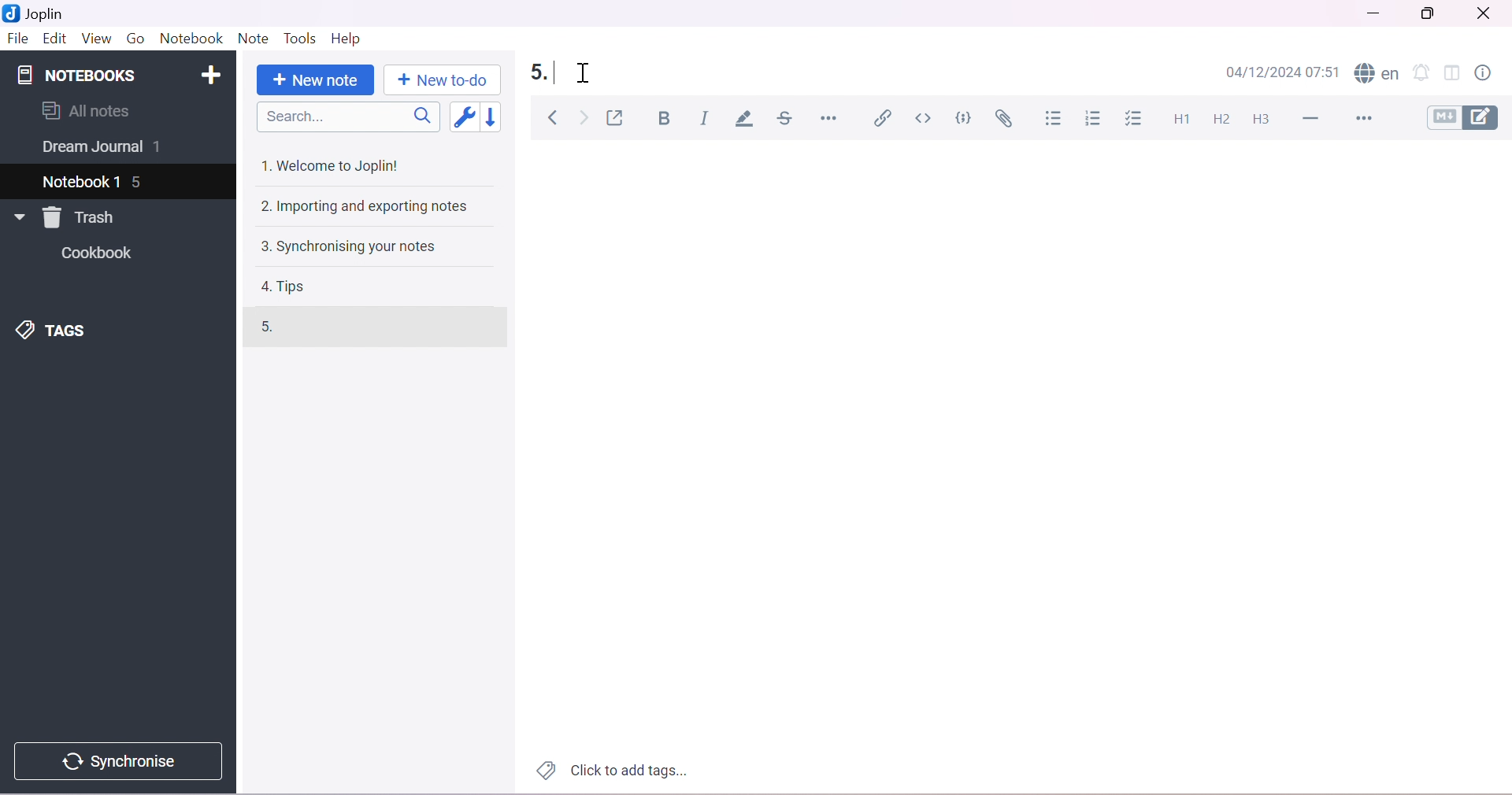 This screenshot has width=1512, height=795. Describe the element at coordinates (788, 119) in the screenshot. I see `Strikethrough` at that location.